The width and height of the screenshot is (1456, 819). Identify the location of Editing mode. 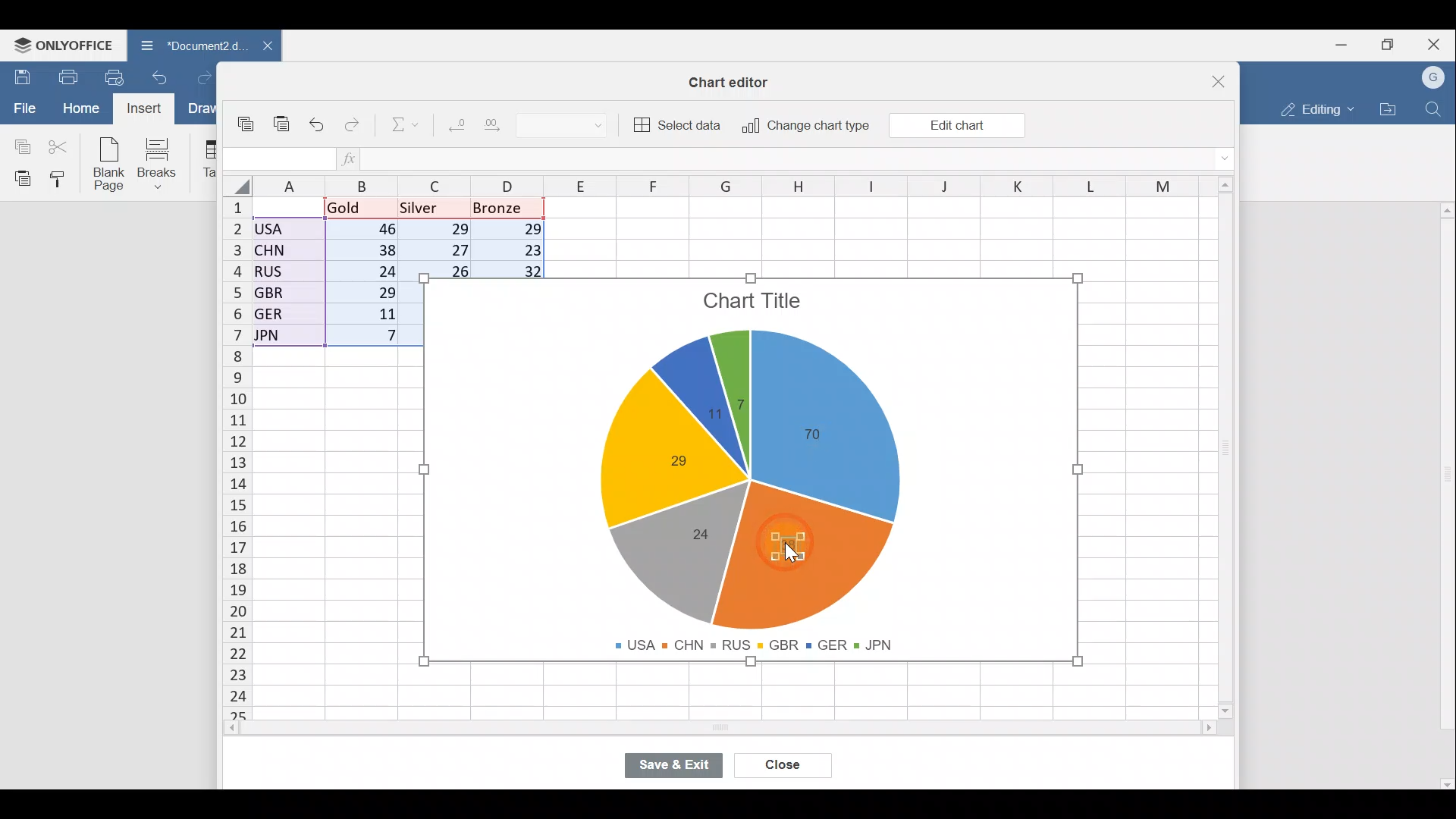
(1316, 106).